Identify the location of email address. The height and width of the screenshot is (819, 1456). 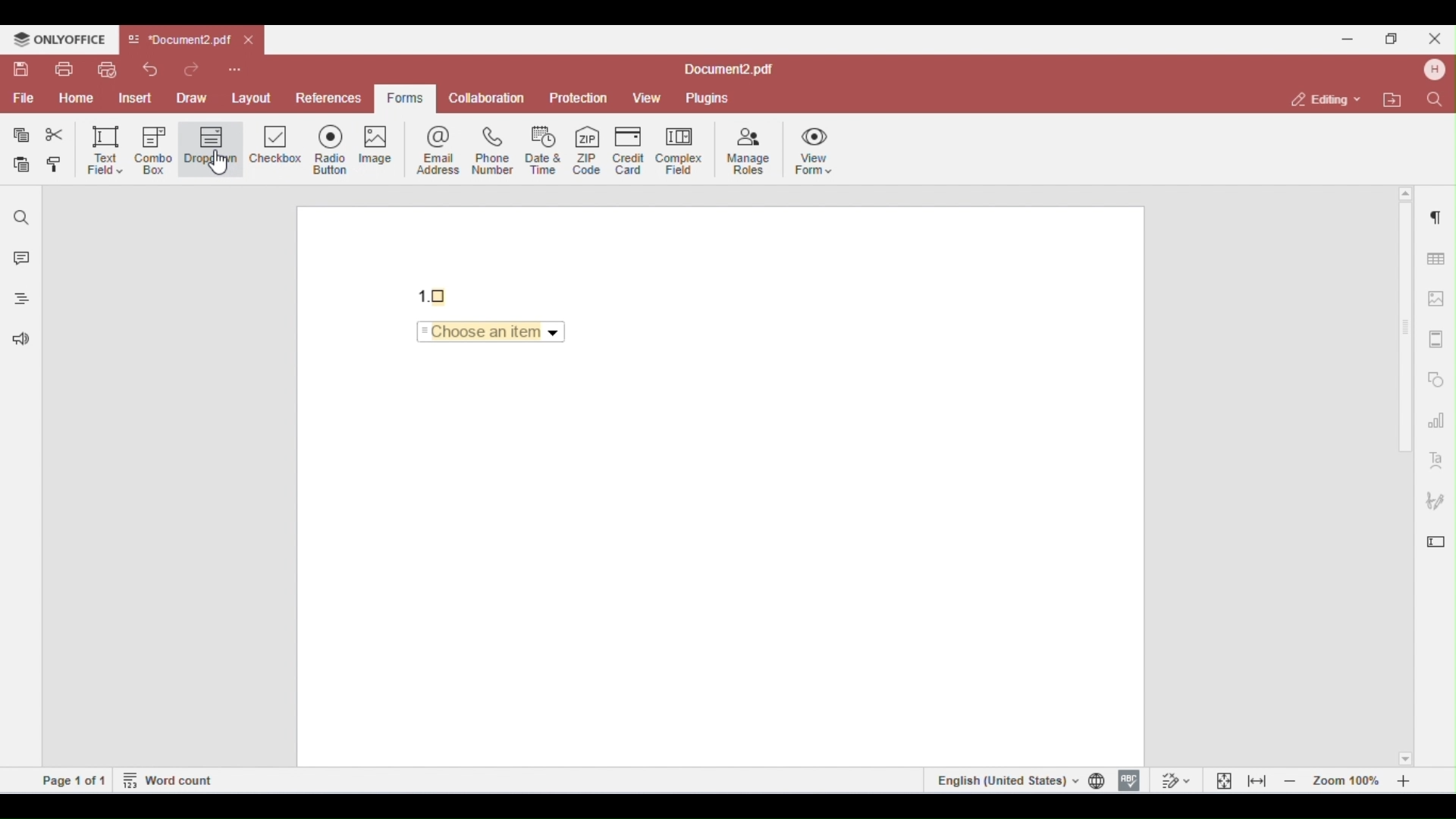
(441, 149).